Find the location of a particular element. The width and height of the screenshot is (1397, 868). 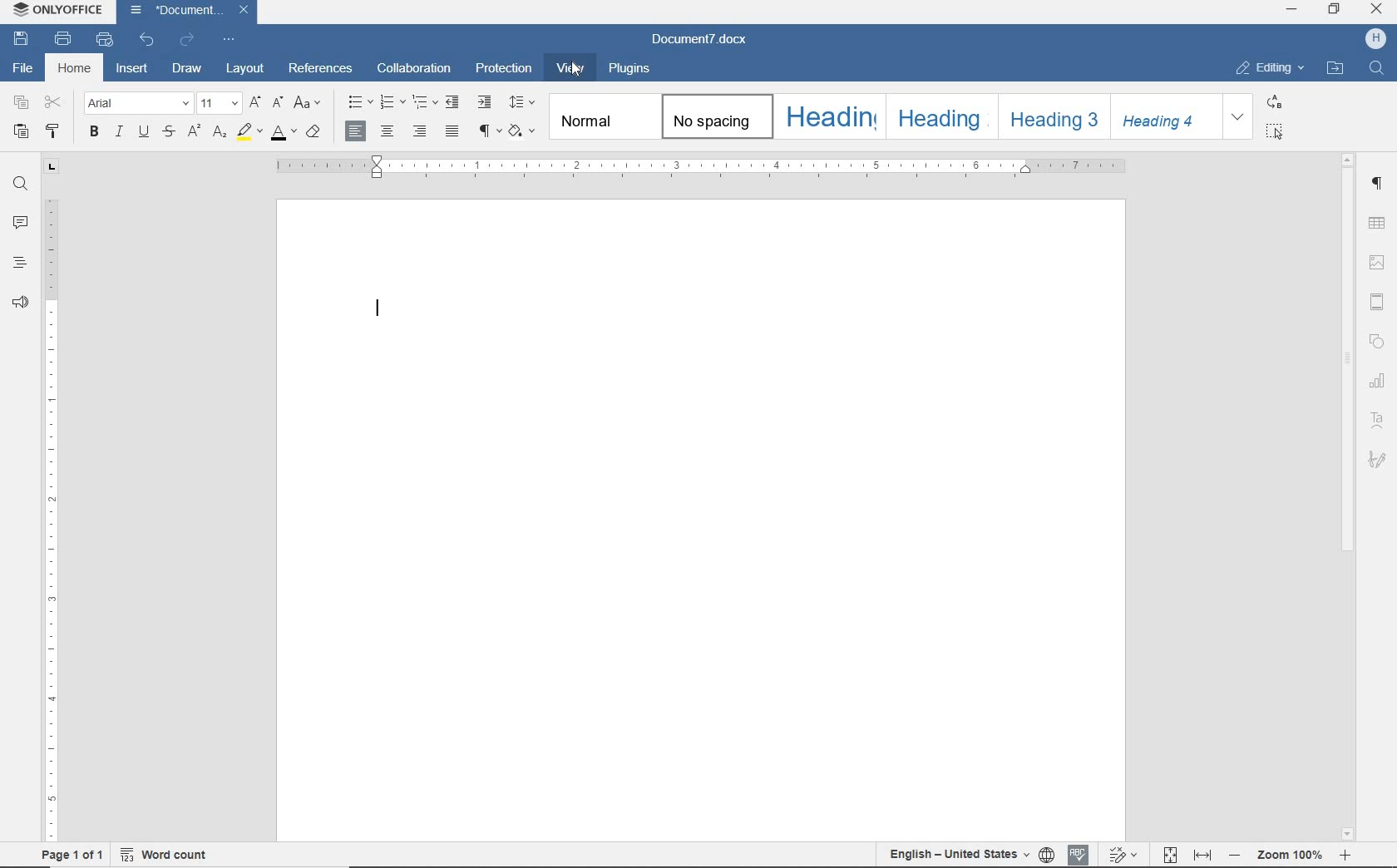

HEADING 3 is located at coordinates (1051, 117).